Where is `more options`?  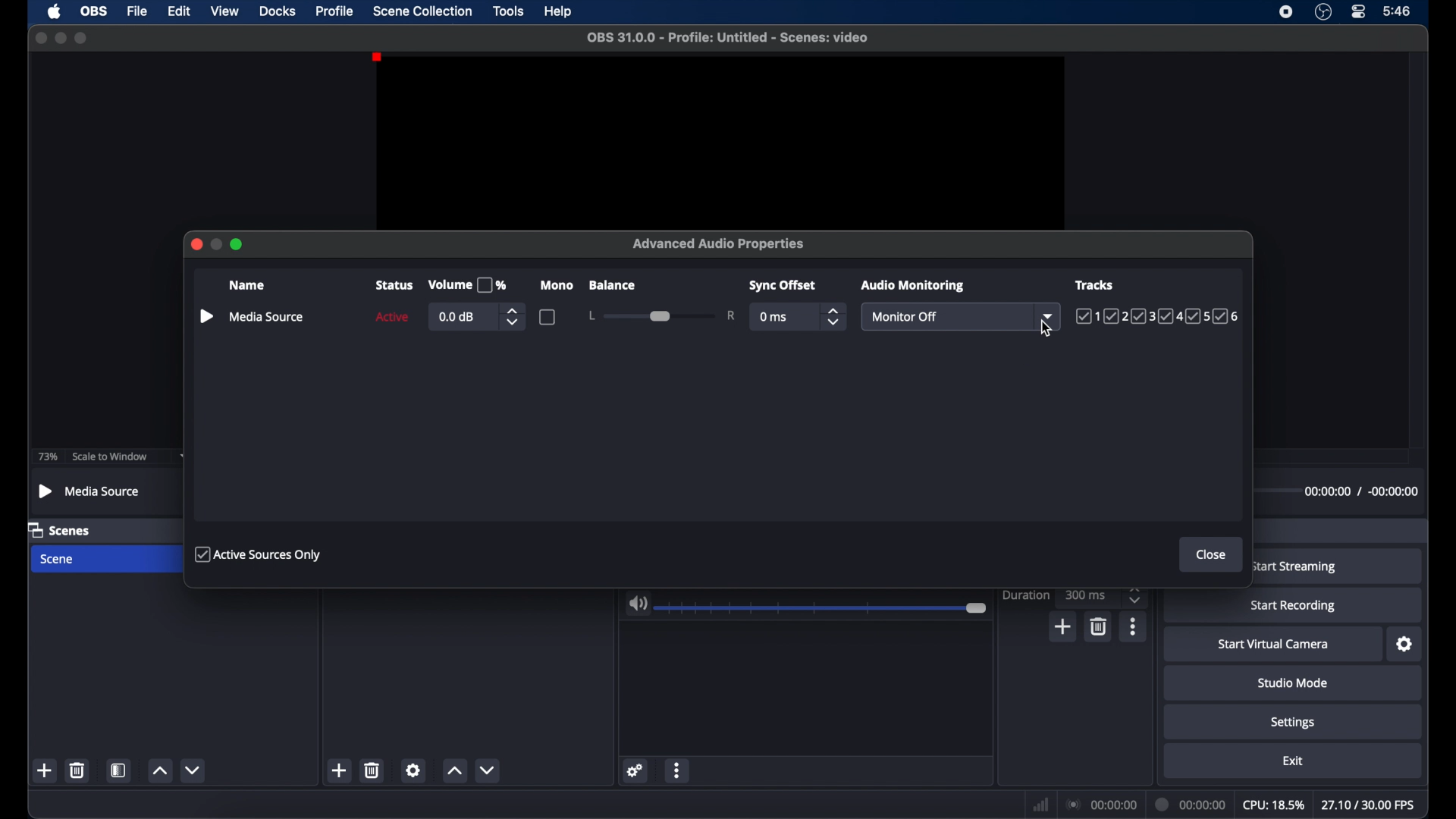
more options is located at coordinates (677, 770).